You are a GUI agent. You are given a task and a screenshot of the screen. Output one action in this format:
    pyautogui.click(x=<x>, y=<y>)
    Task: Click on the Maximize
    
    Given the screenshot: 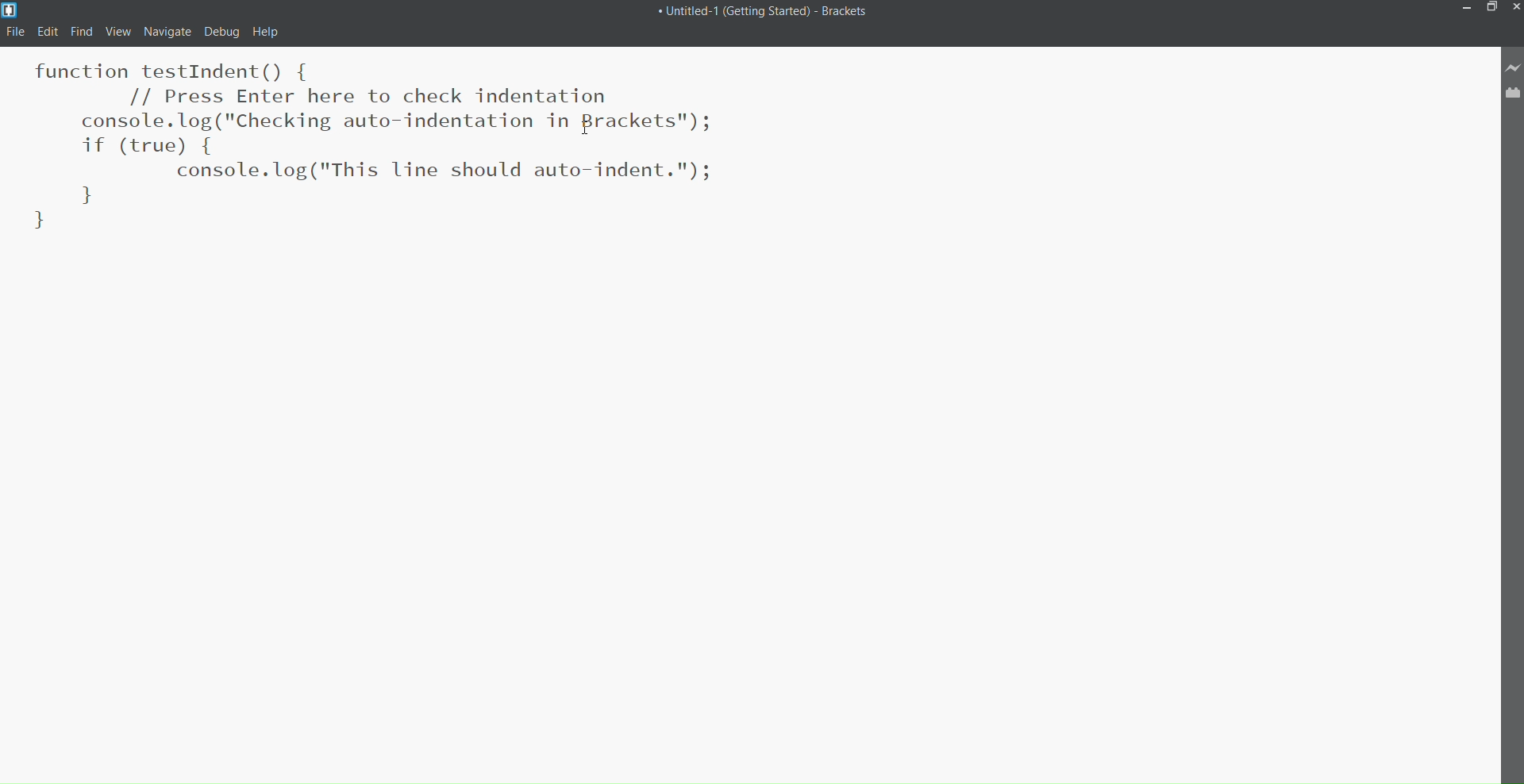 What is the action you would take?
    pyautogui.click(x=1491, y=6)
    